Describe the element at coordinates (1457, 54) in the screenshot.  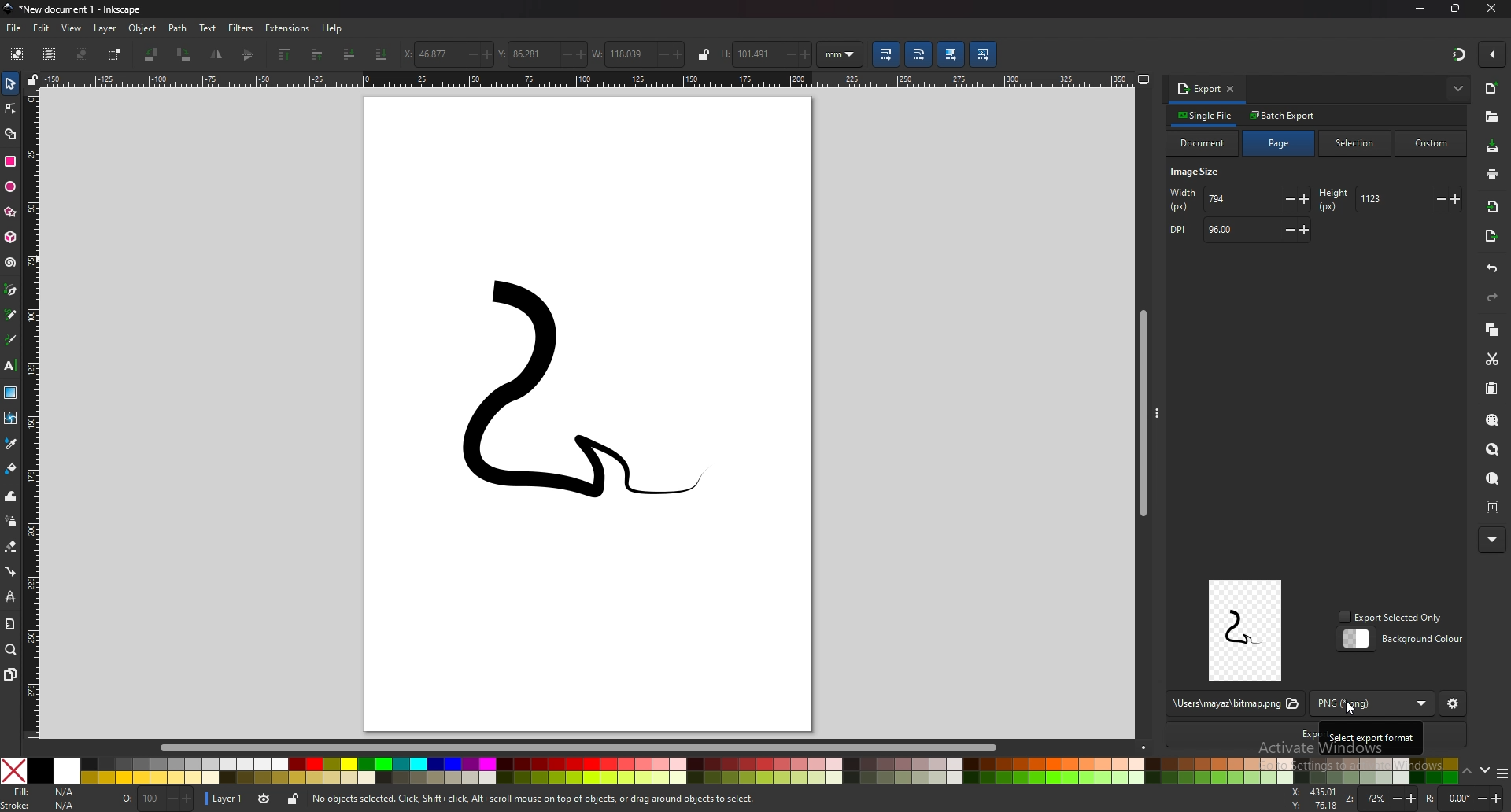
I see `snapping` at that location.